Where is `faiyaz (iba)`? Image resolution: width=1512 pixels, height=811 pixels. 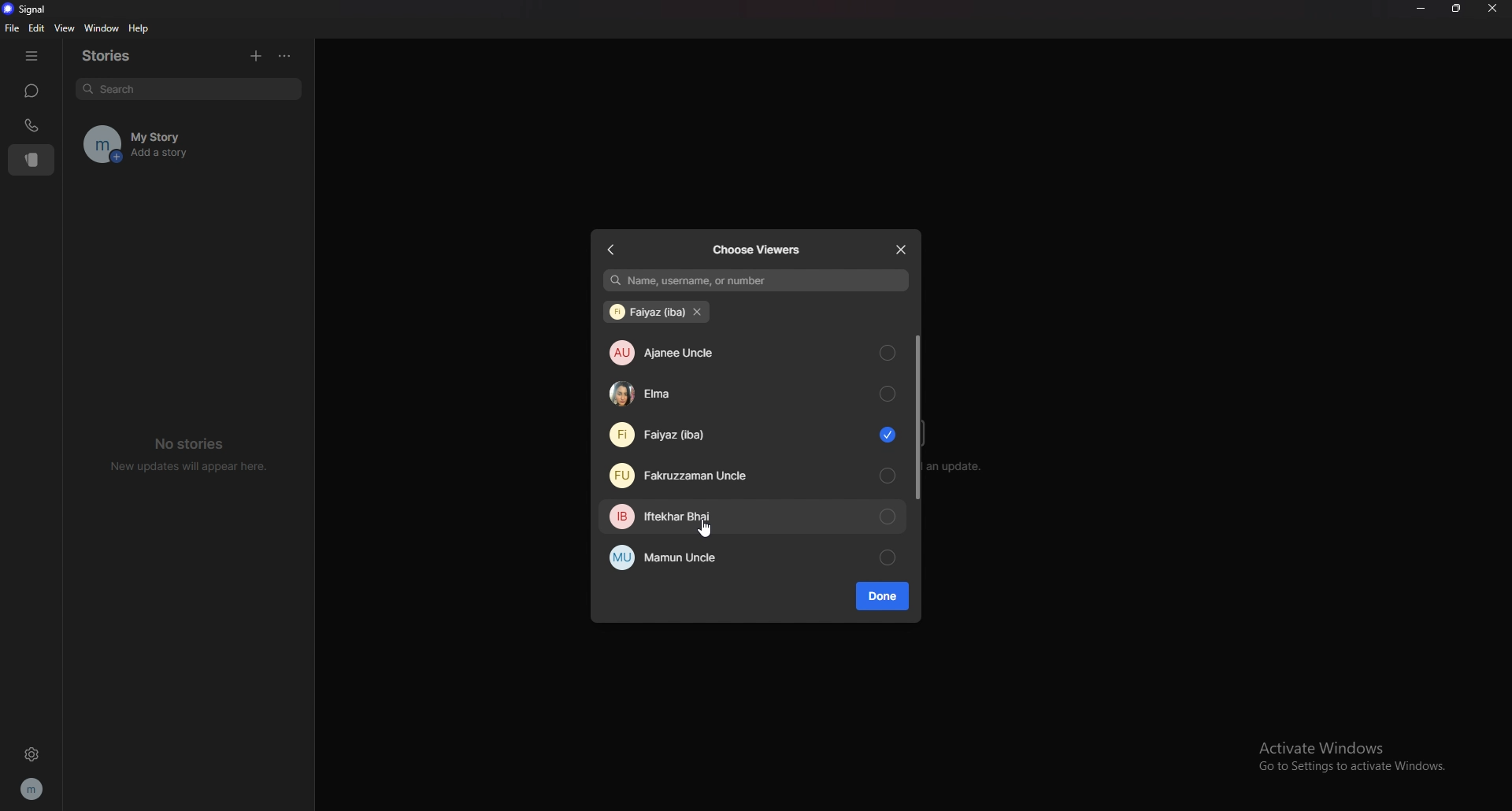
faiyaz (iba) is located at coordinates (756, 435).